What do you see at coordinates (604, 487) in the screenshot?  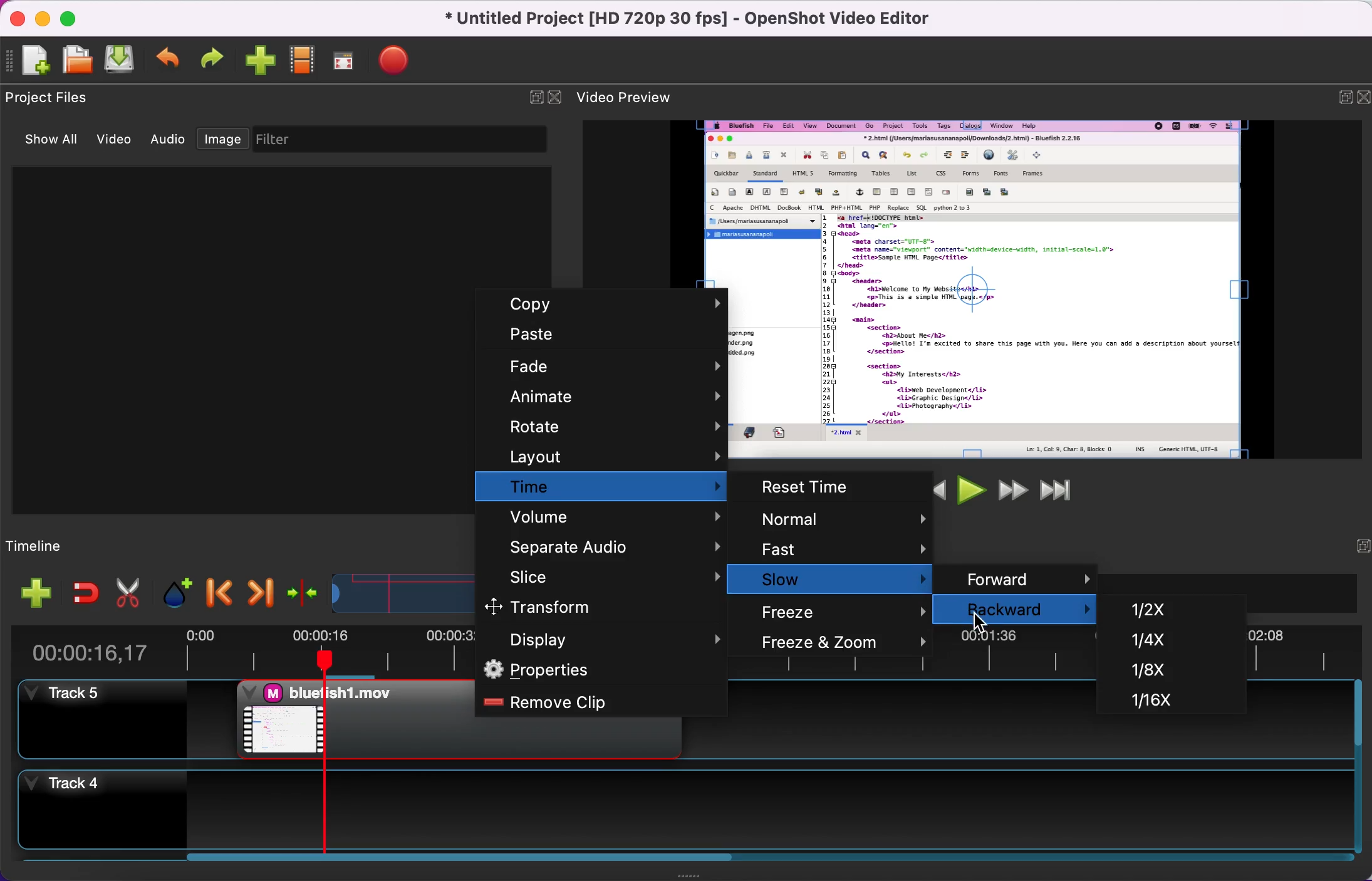 I see `time` at bounding box center [604, 487].